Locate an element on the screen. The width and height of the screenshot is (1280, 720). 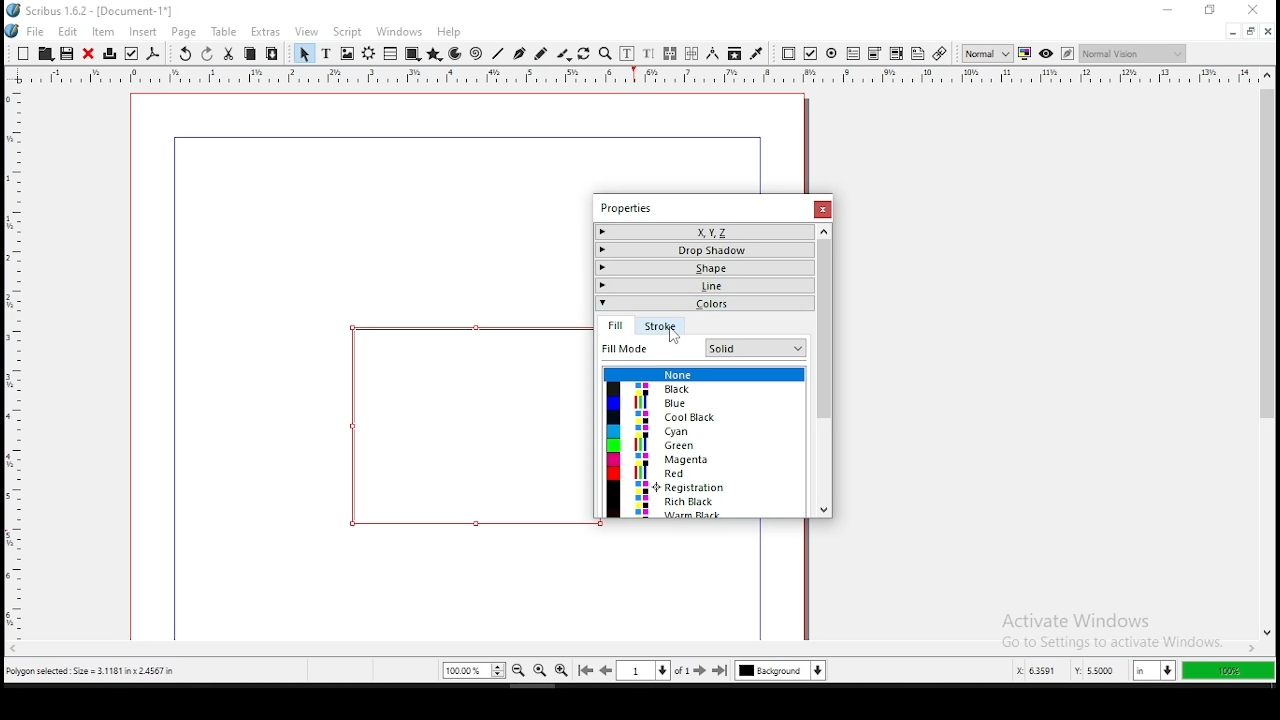
pdf list box is located at coordinates (876, 55).